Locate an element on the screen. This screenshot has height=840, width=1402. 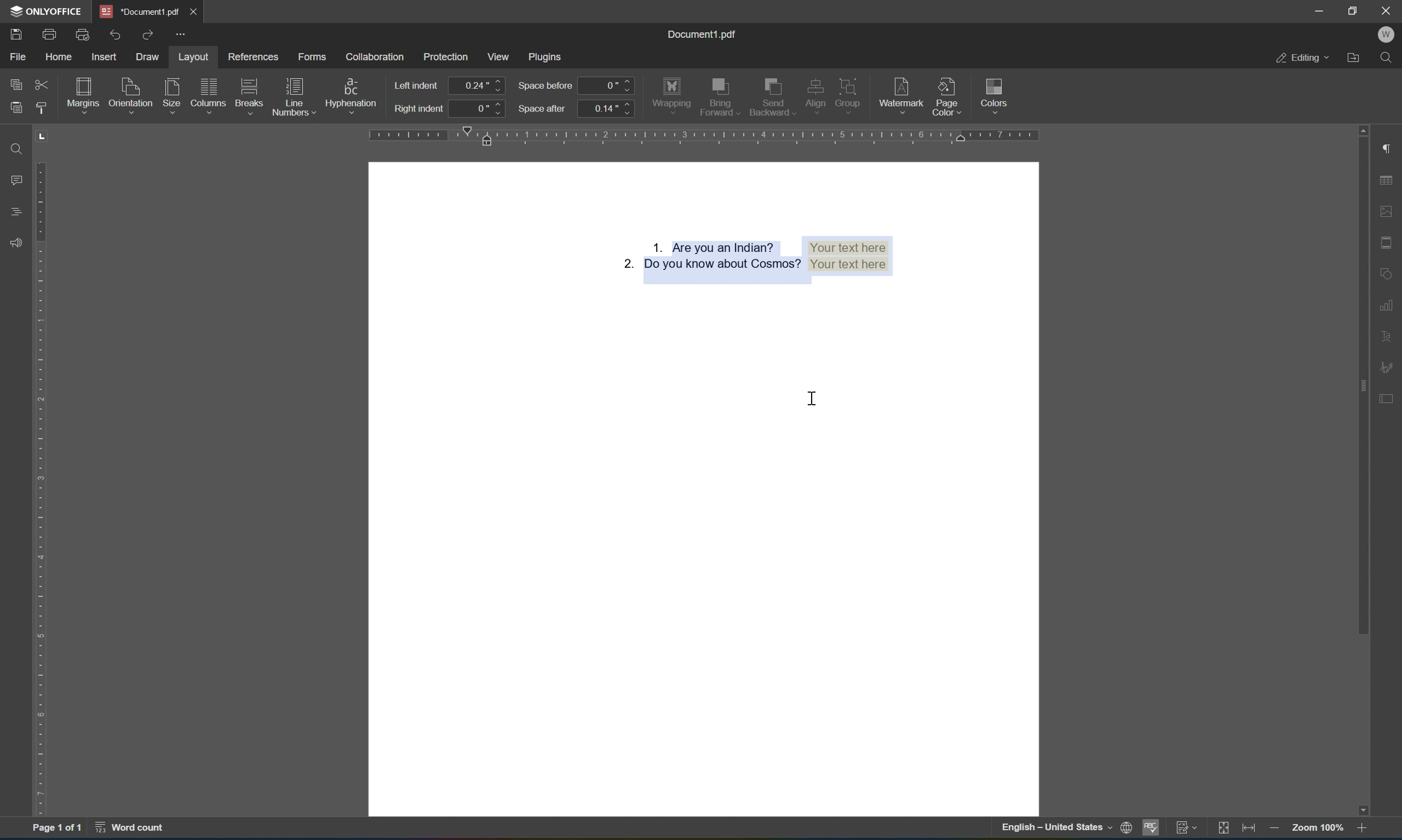
refernces is located at coordinates (258, 57).